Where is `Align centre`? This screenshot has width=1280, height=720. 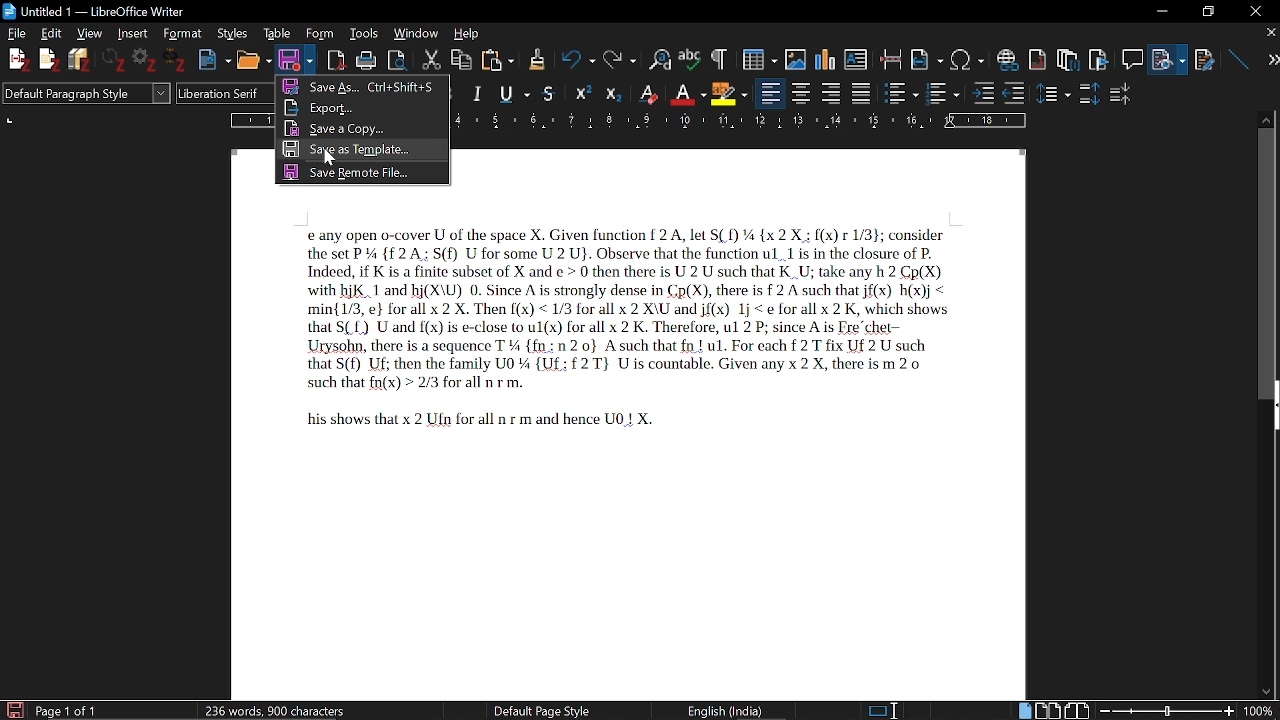
Align centre is located at coordinates (803, 92).